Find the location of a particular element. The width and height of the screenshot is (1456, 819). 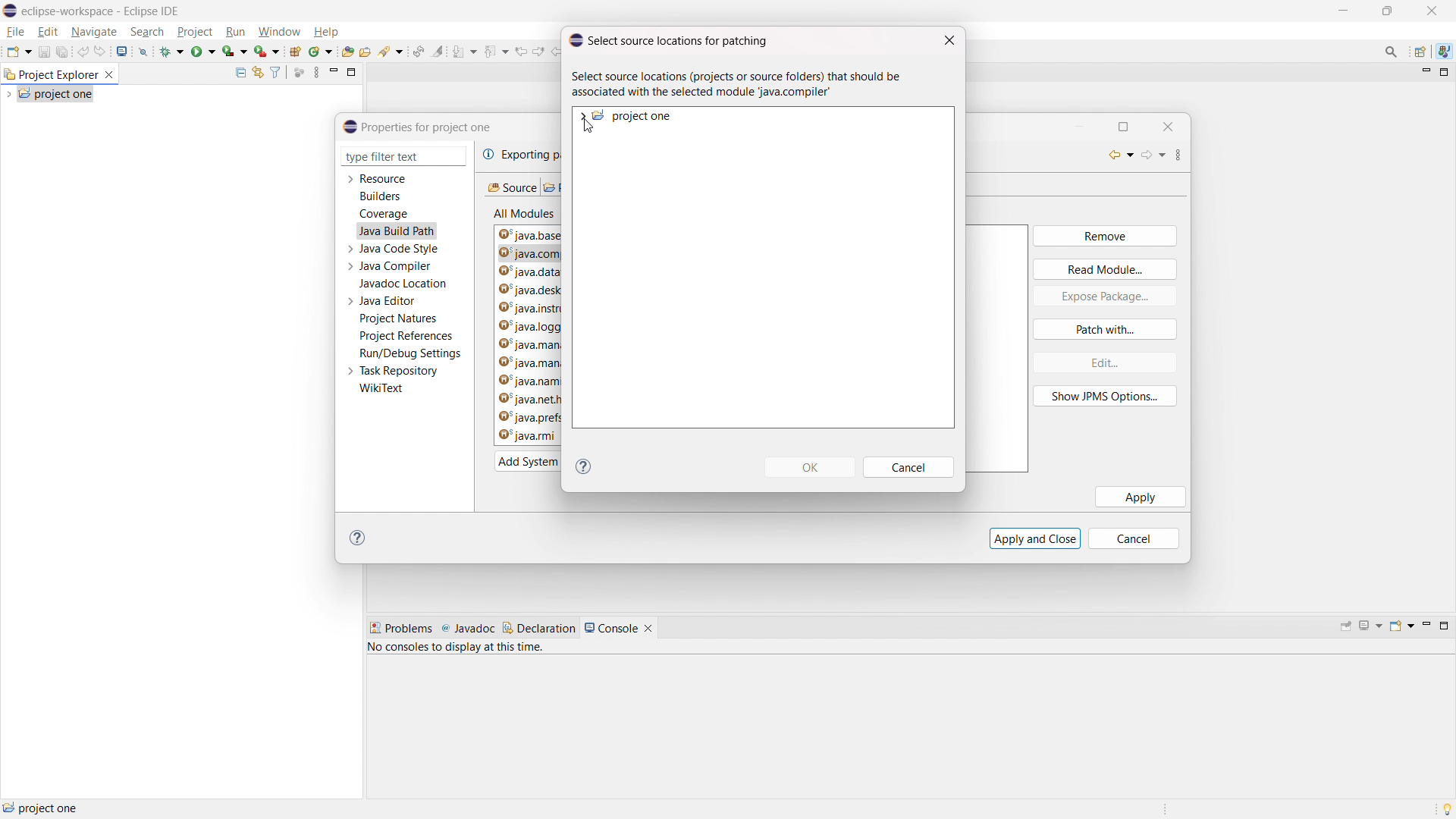

project one is located at coordinates (634, 116).